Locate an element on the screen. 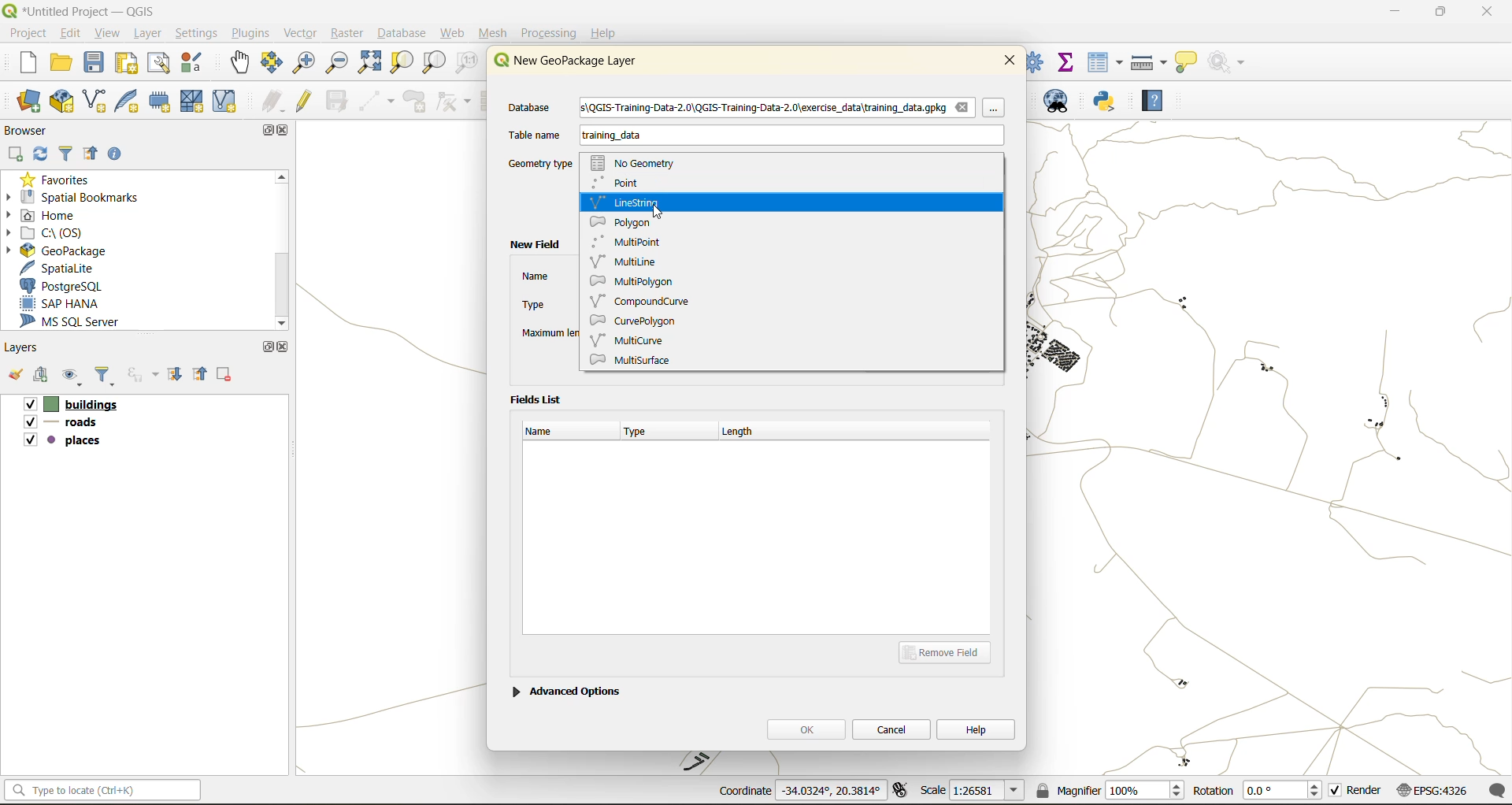 The image size is (1512, 805). collapse all is located at coordinates (94, 154).